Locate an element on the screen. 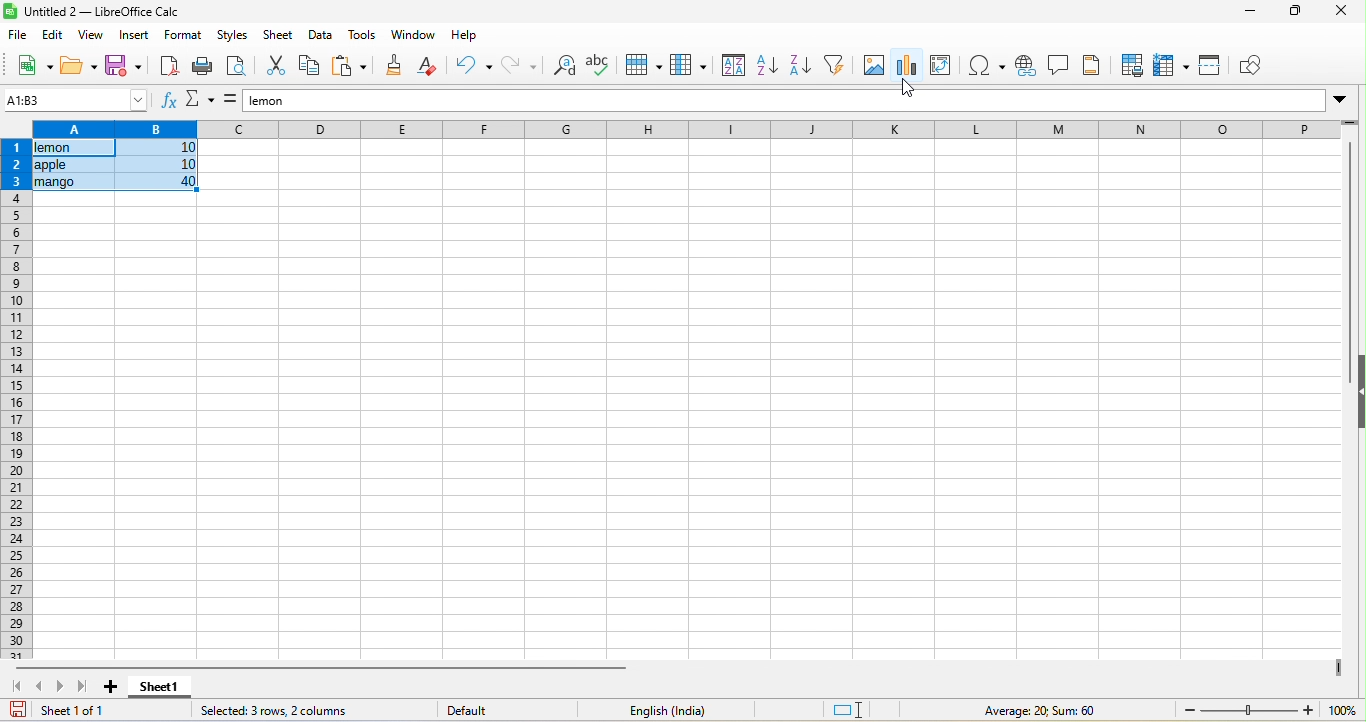  average 20, sum=60 is located at coordinates (1055, 712).